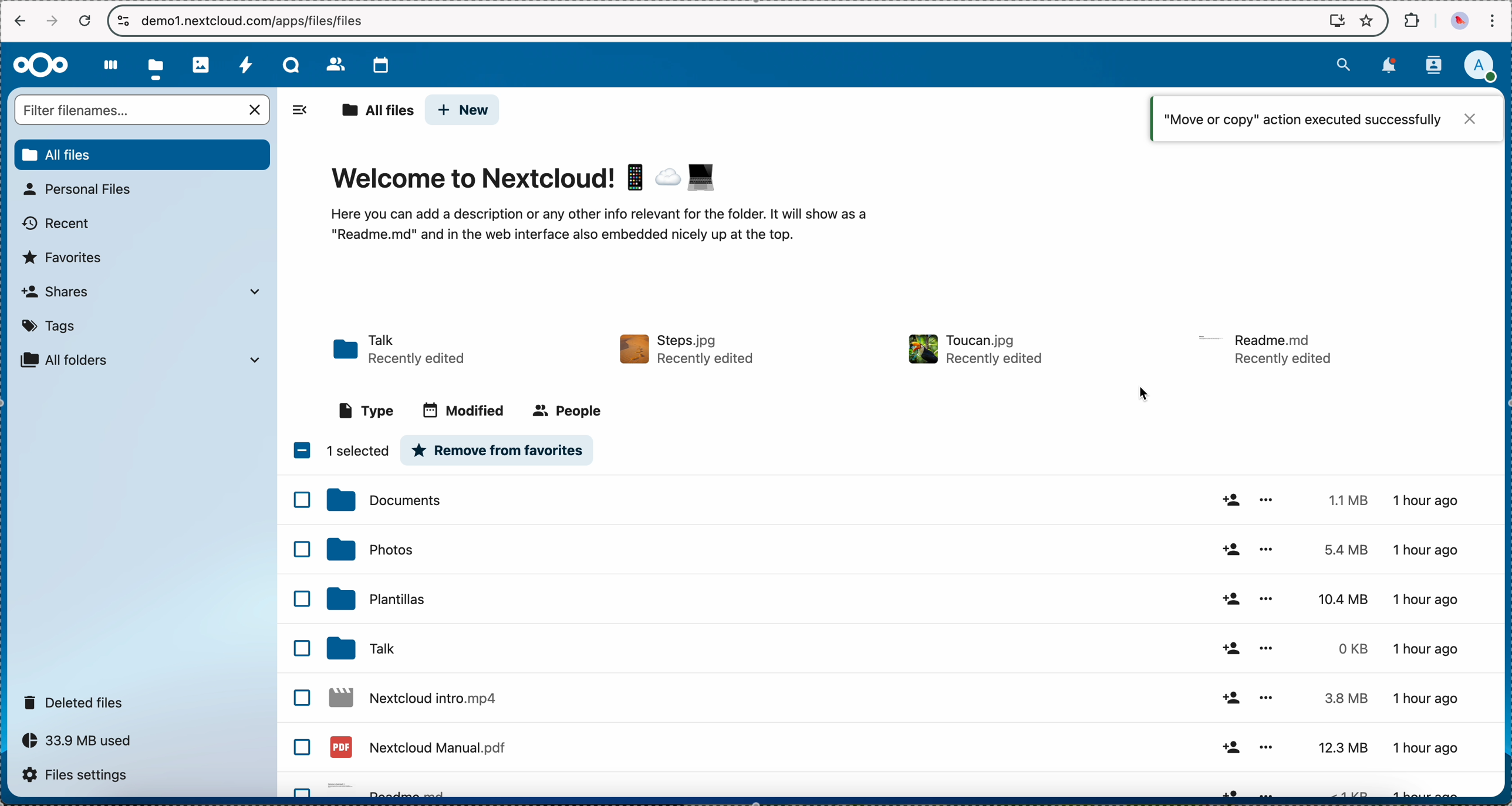 The image size is (1512, 806). What do you see at coordinates (975, 350) in the screenshot?
I see `file` at bounding box center [975, 350].